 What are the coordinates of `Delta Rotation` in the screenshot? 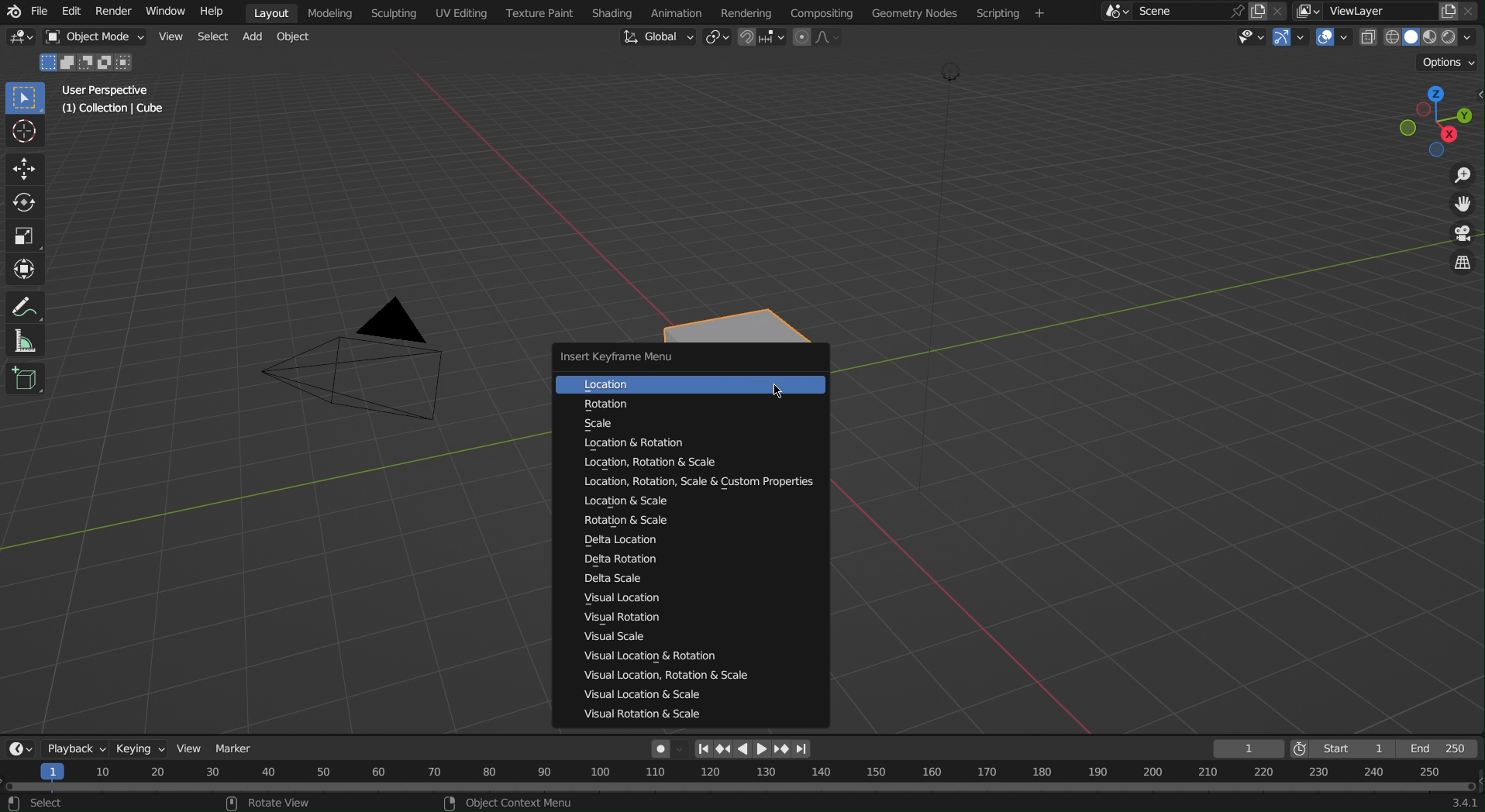 It's located at (611, 559).